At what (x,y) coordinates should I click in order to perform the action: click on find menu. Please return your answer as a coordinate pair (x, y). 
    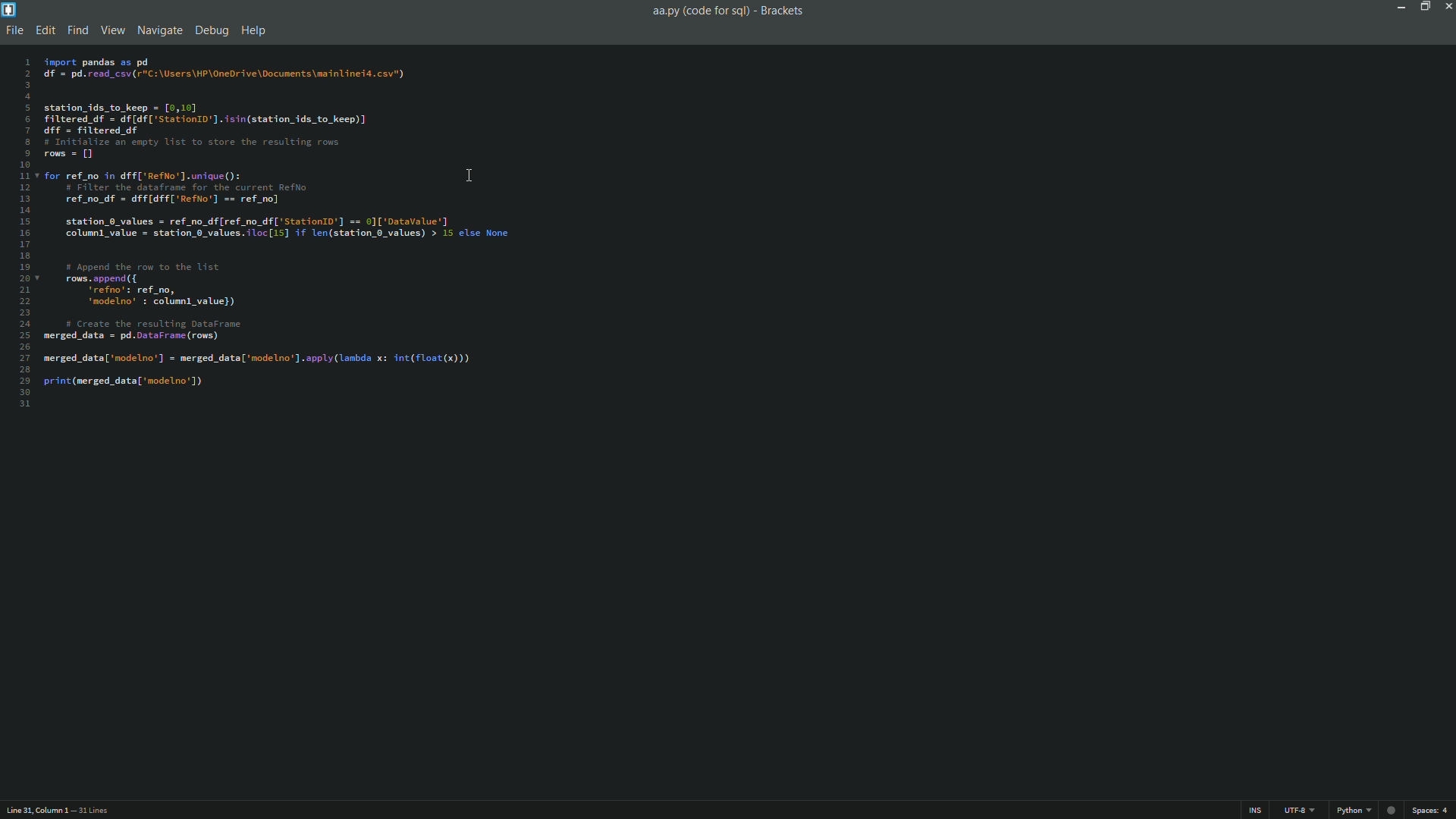
    Looking at the image, I should click on (76, 30).